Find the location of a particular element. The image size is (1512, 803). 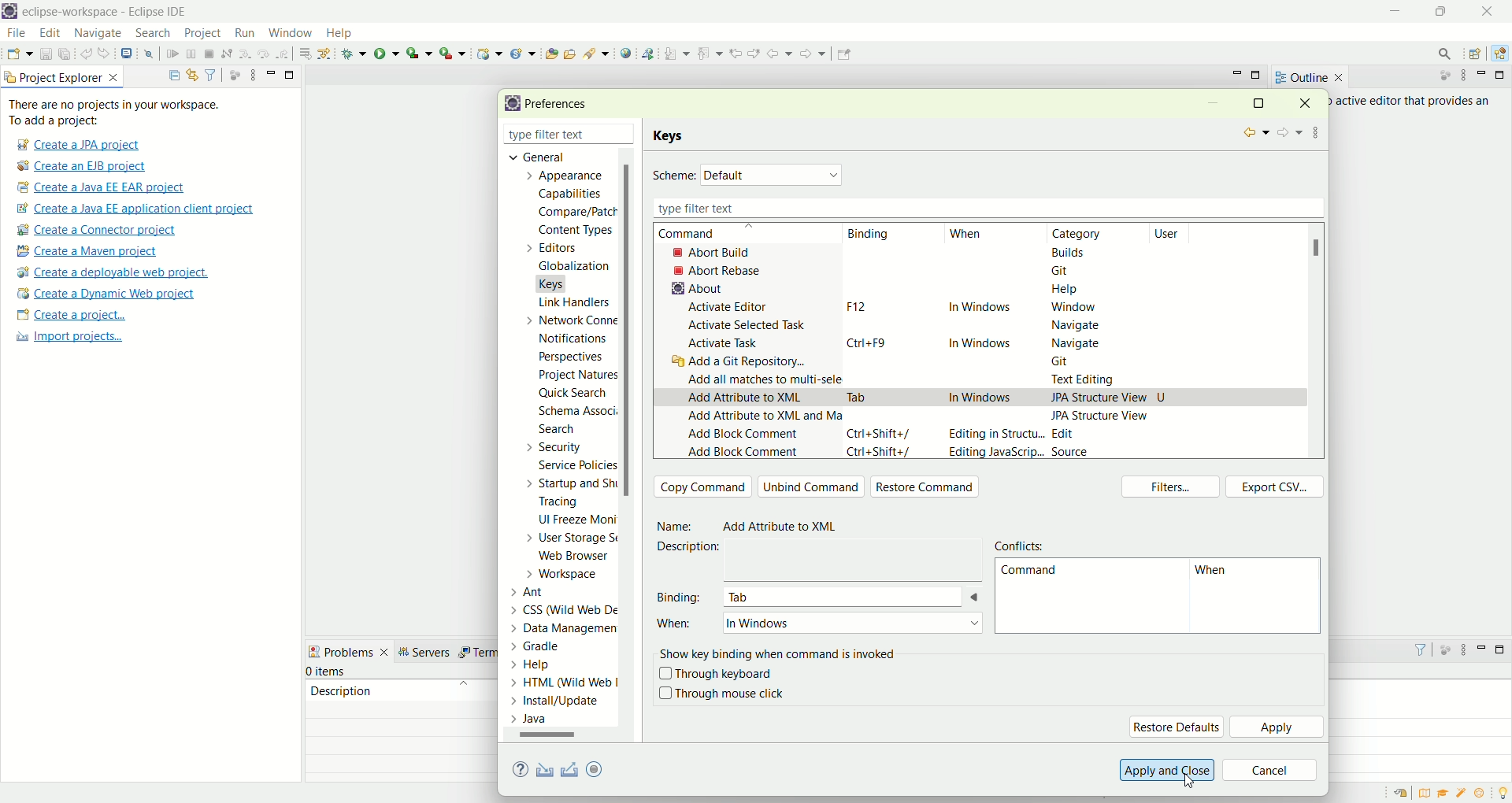

project explorer is located at coordinates (63, 76).